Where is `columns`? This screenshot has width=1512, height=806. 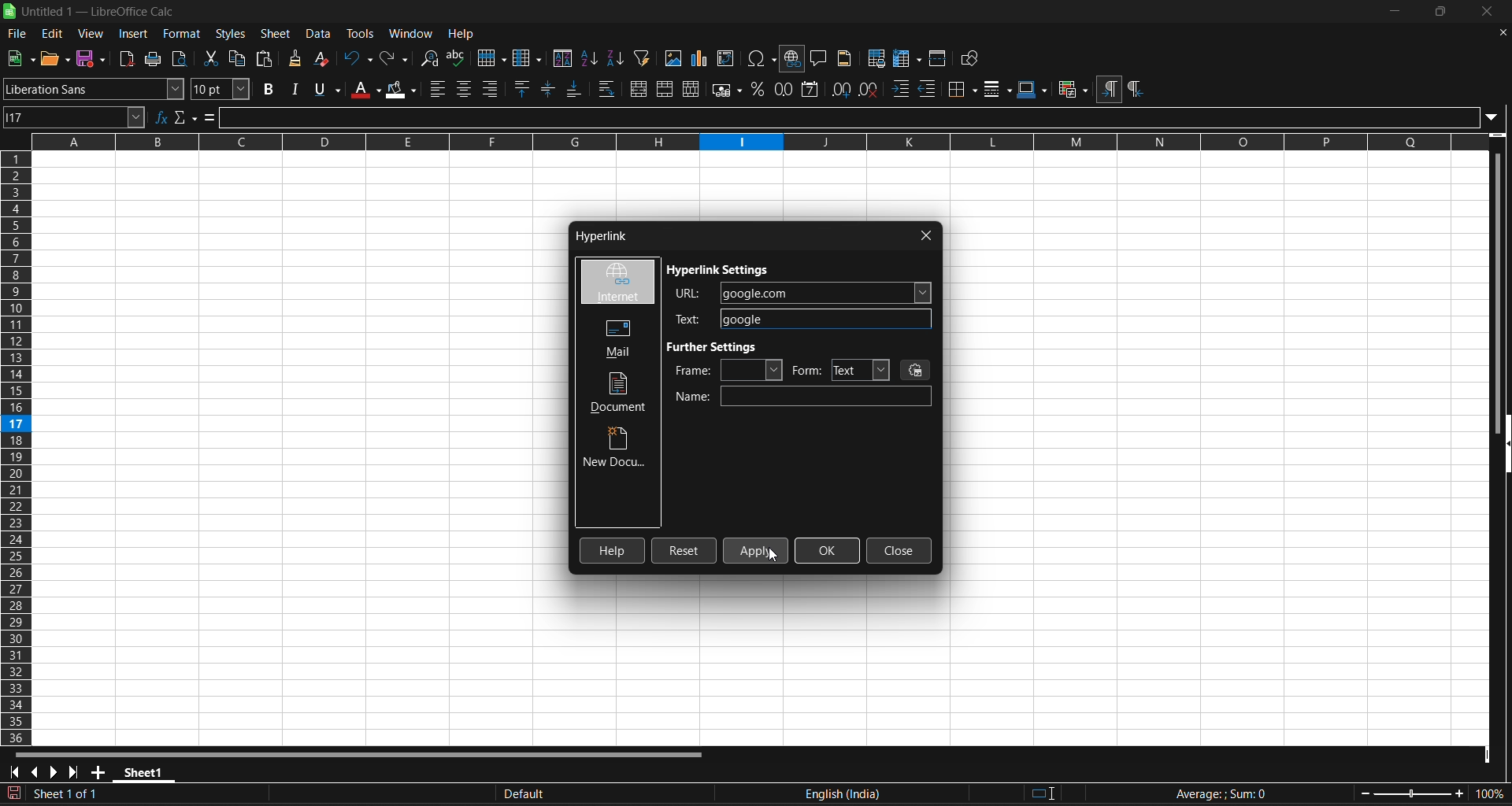
columns is located at coordinates (17, 449).